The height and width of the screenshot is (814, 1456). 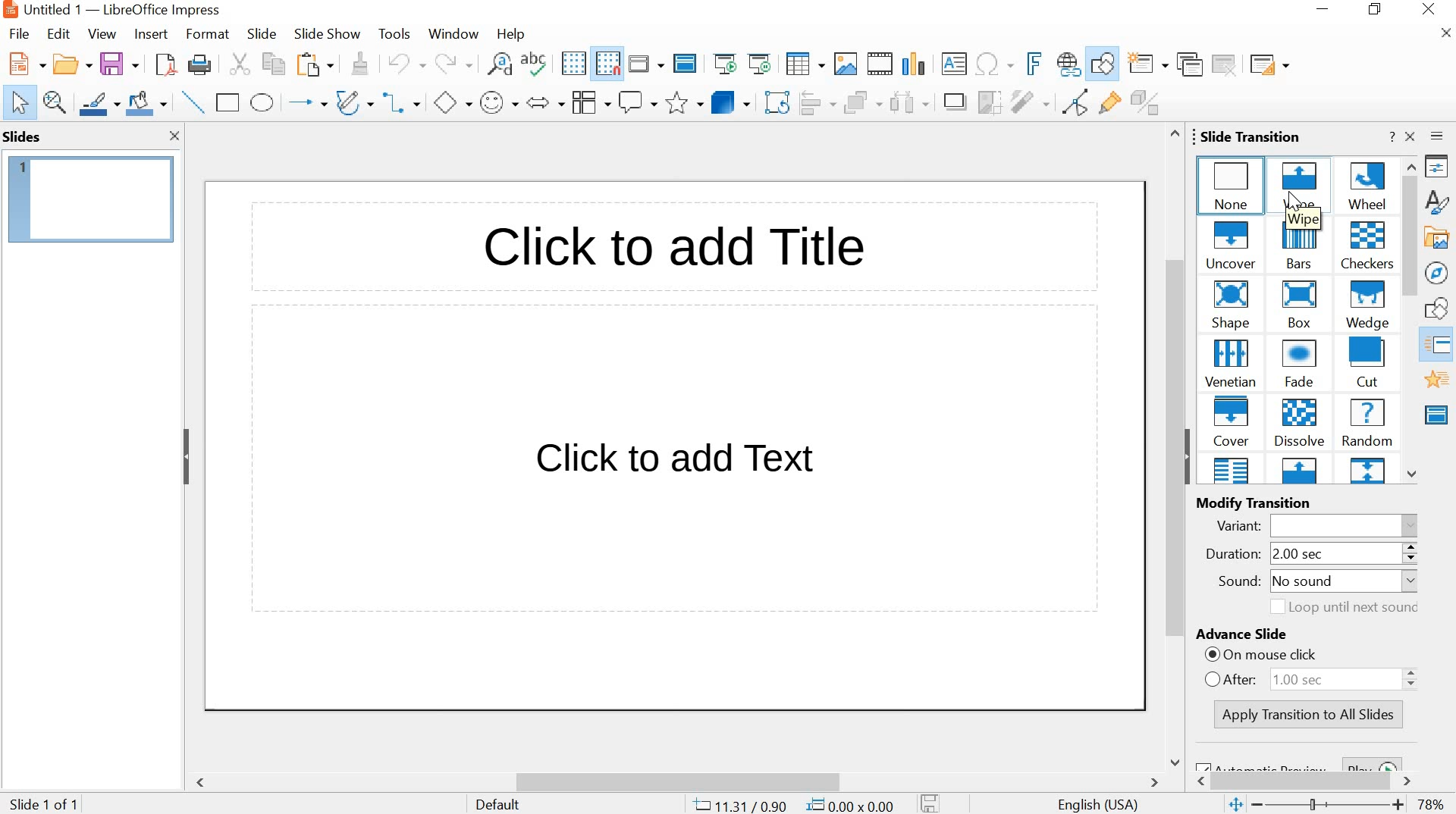 I want to click on Lines and arrows, so click(x=306, y=101).